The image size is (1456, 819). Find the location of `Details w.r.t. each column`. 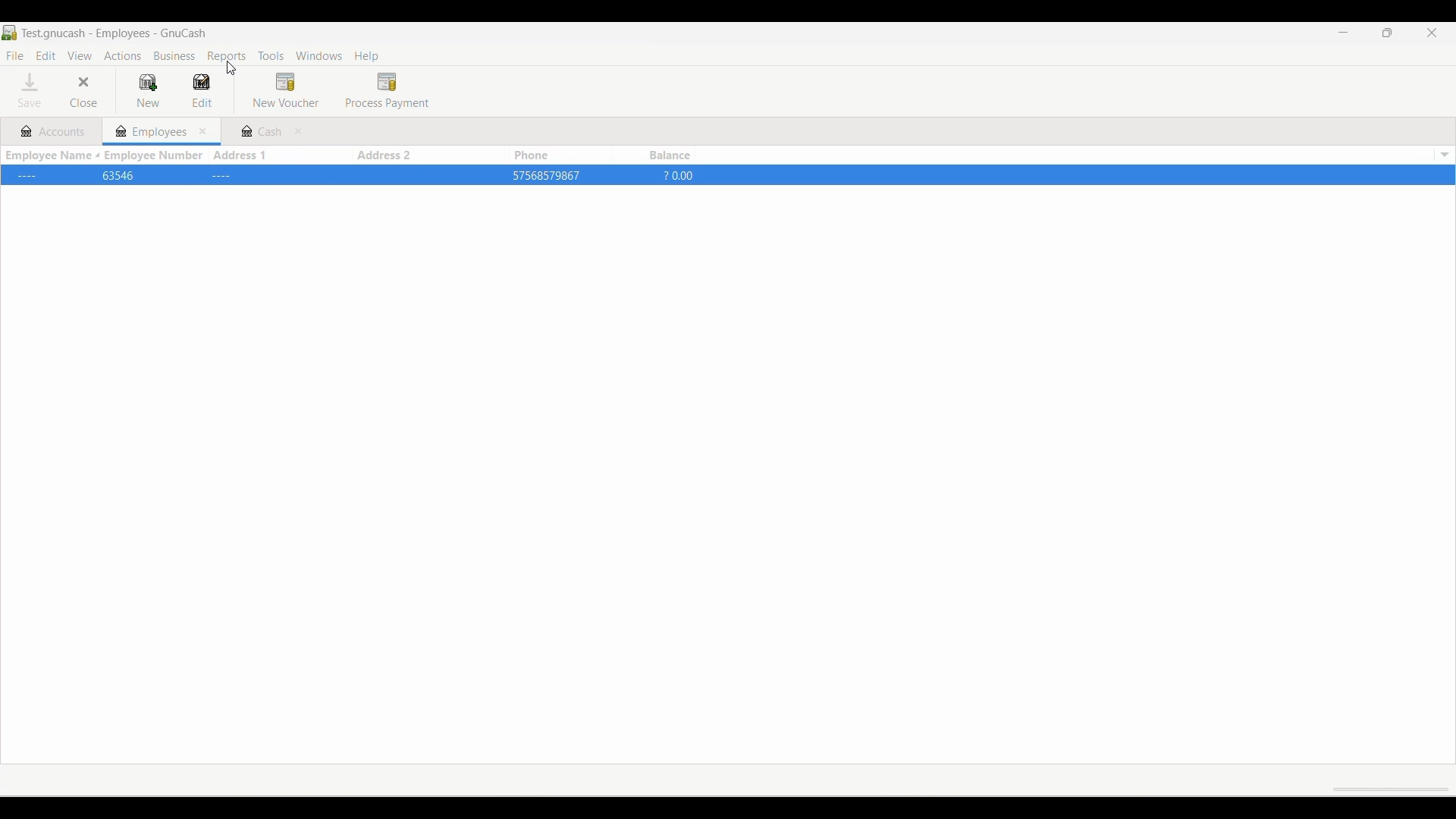

Details w.r.t. each column is located at coordinates (354, 175).